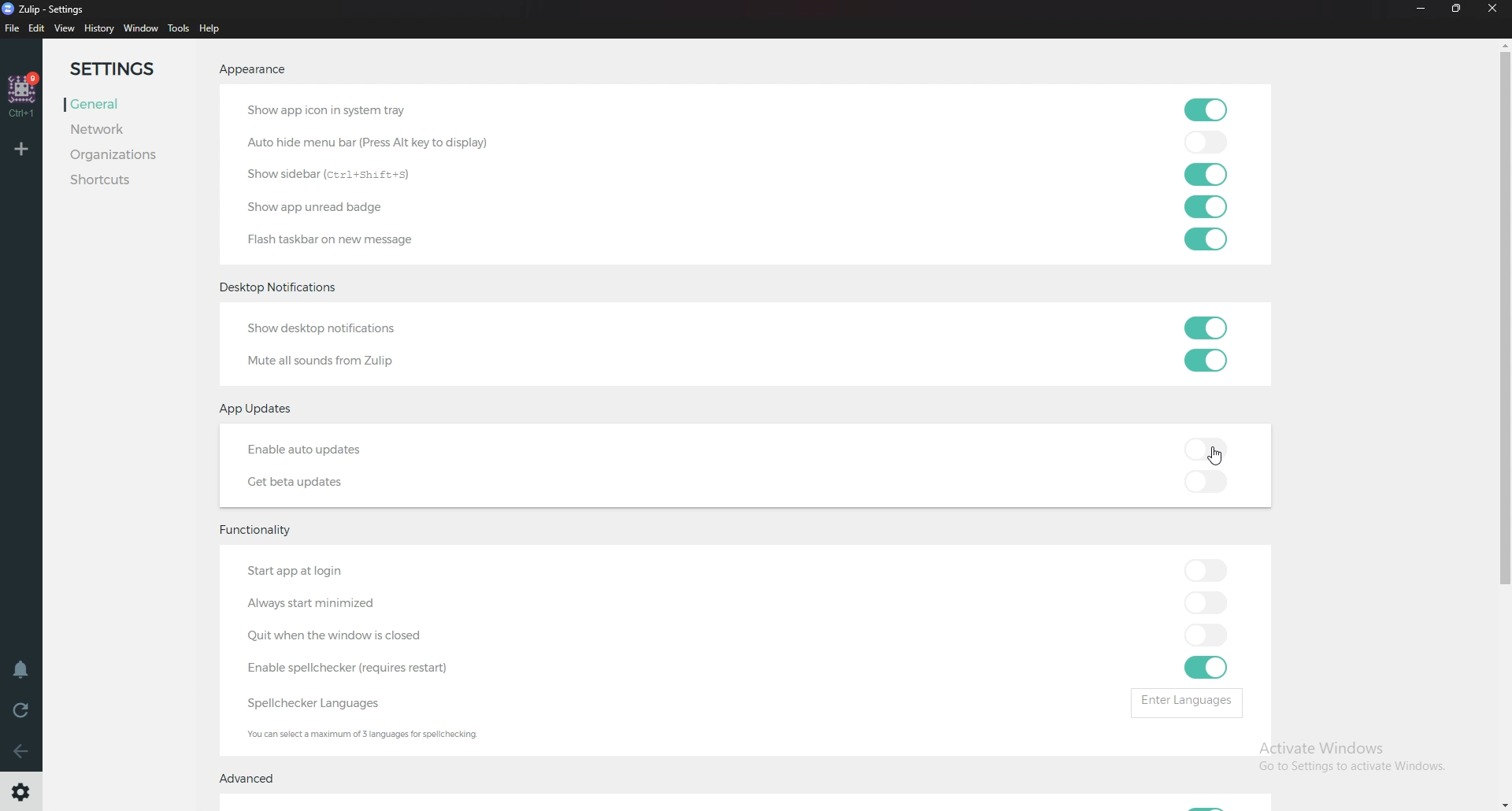 The width and height of the screenshot is (1512, 811). I want to click on Start app at login, so click(337, 571).